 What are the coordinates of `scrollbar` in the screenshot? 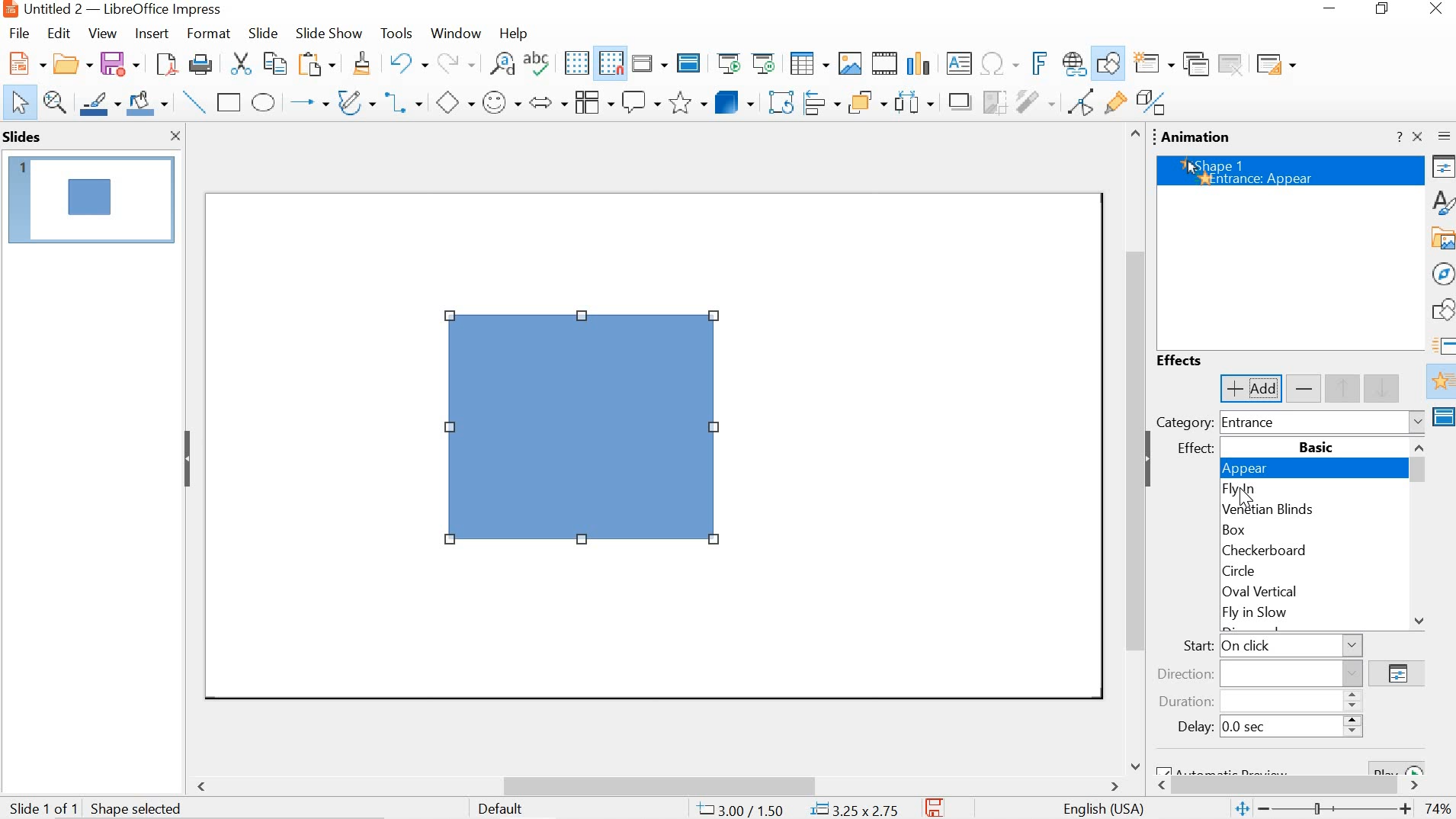 It's located at (1295, 787).